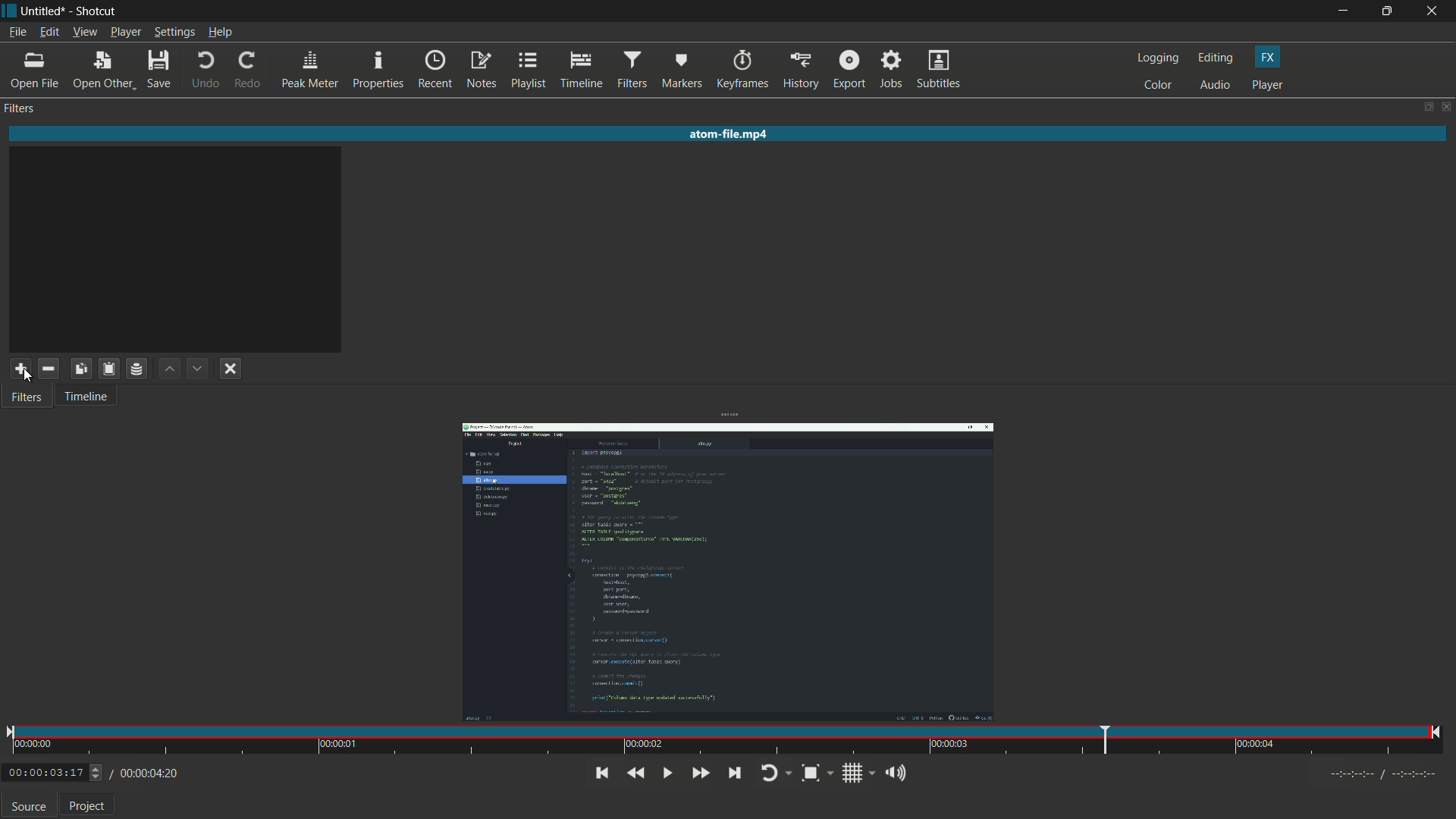 Image resolution: width=1456 pixels, height=819 pixels. Describe the element at coordinates (89, 398) in the screenshot. I see `timeline` at that location.